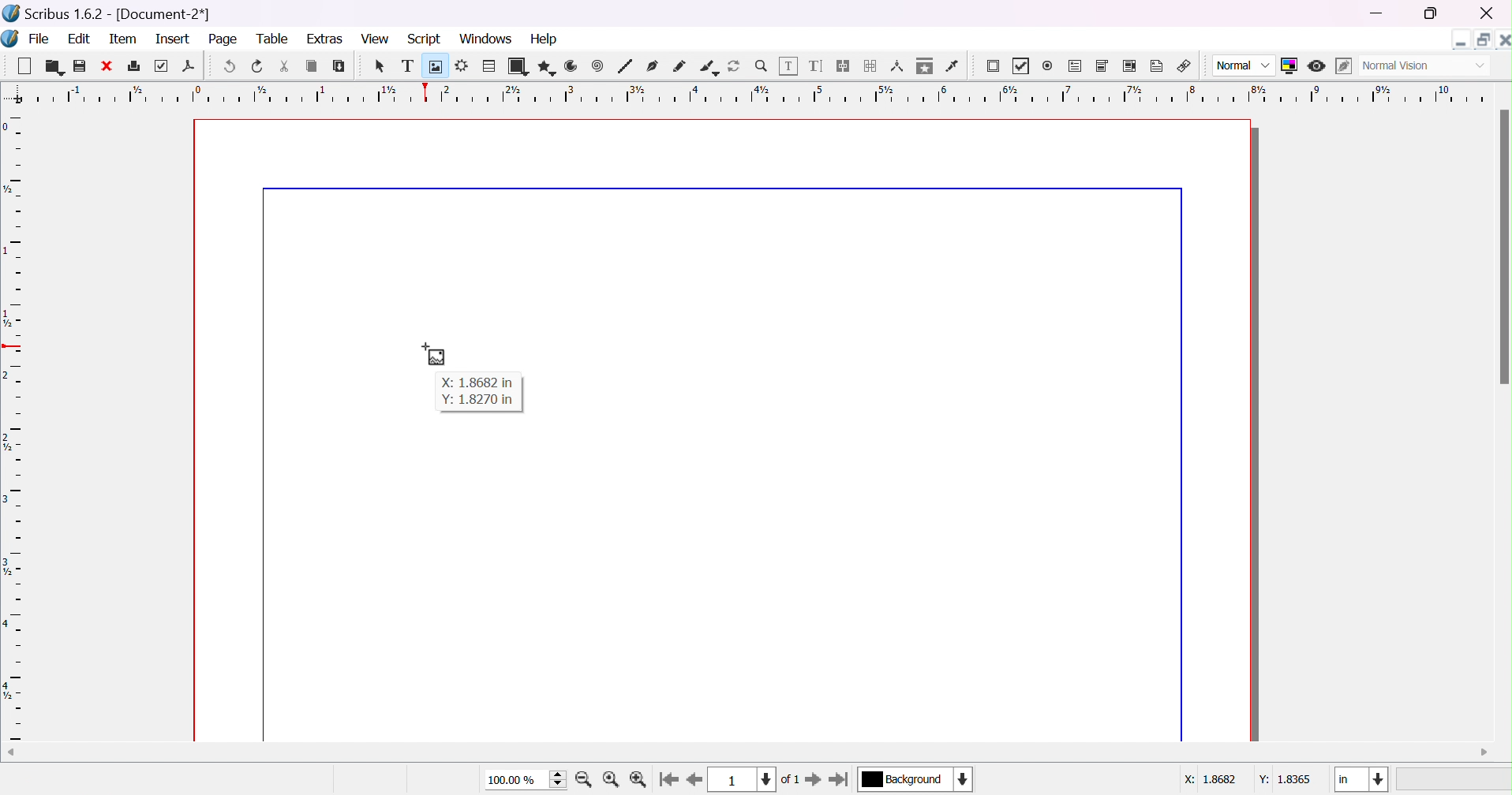  Describe the element at coordinates (1076, 66) in the screenshot. I see `PDF text field` at that location.